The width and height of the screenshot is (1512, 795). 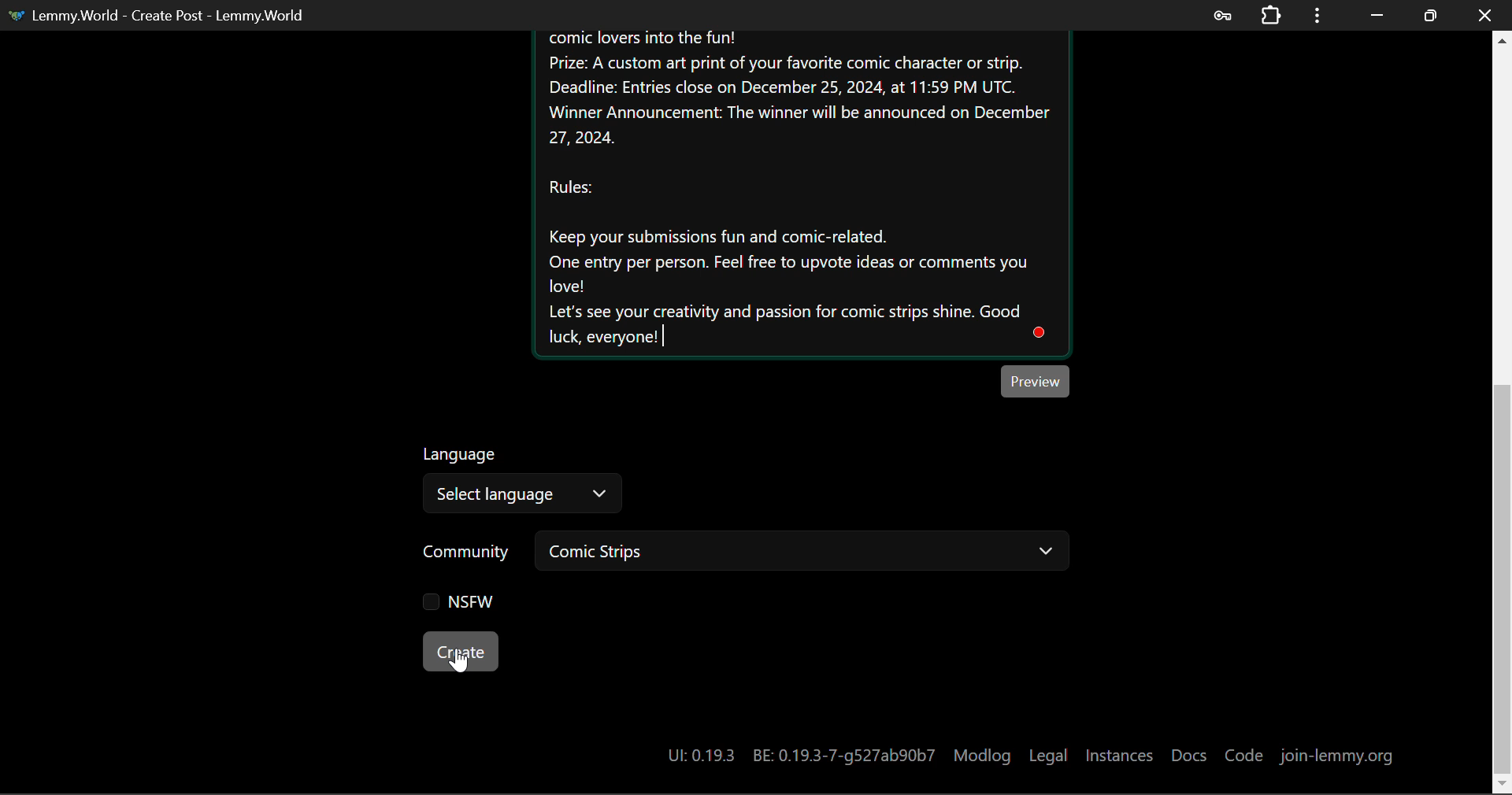 I want to click on Select Language, so click(x=521, y=494).